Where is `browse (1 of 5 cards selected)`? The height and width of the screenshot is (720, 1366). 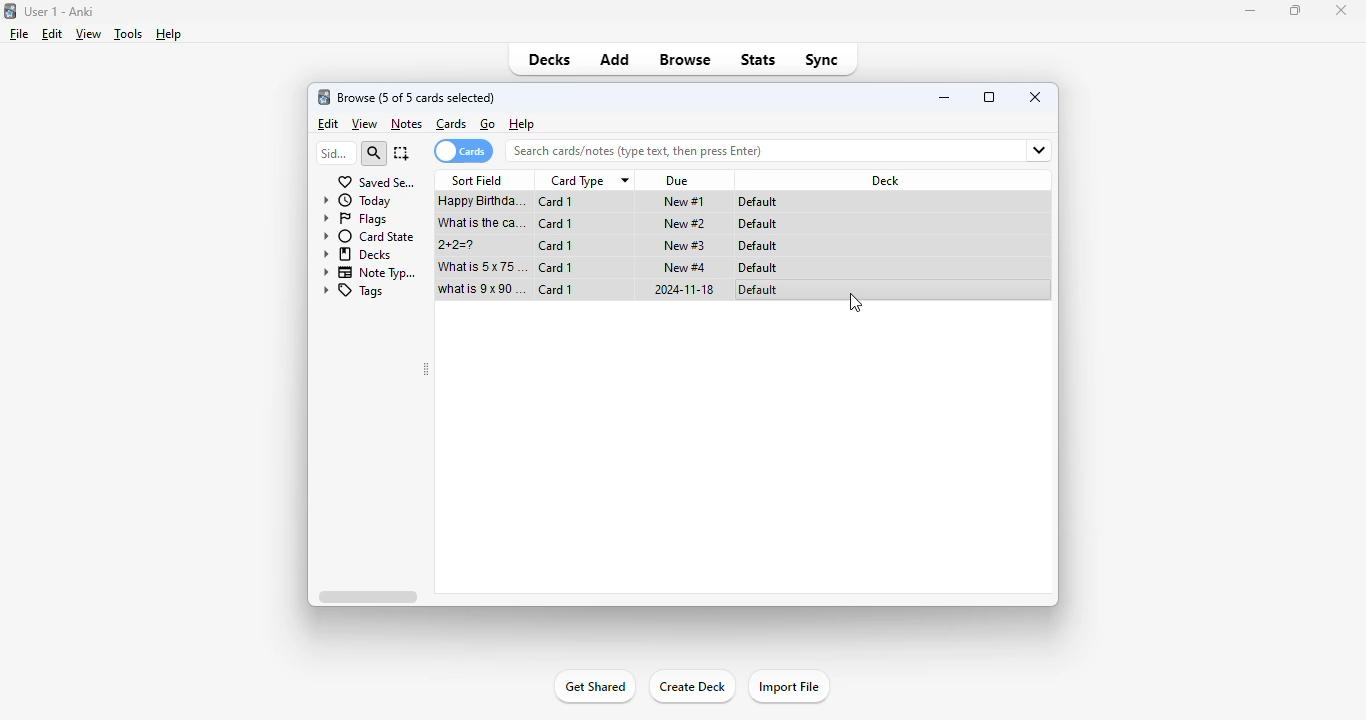 browse (1 of 5 cards selected) is located at coordinates (416, 98).